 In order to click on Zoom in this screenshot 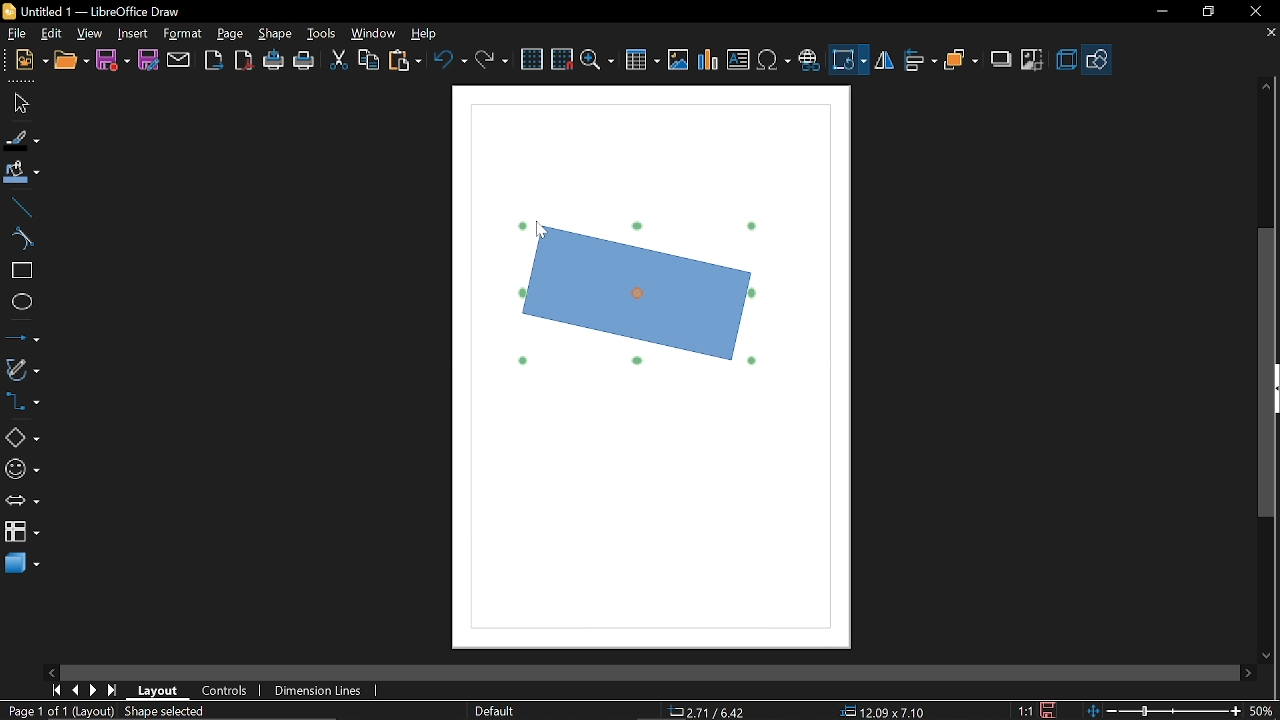, I will do `click(597, 61)`.